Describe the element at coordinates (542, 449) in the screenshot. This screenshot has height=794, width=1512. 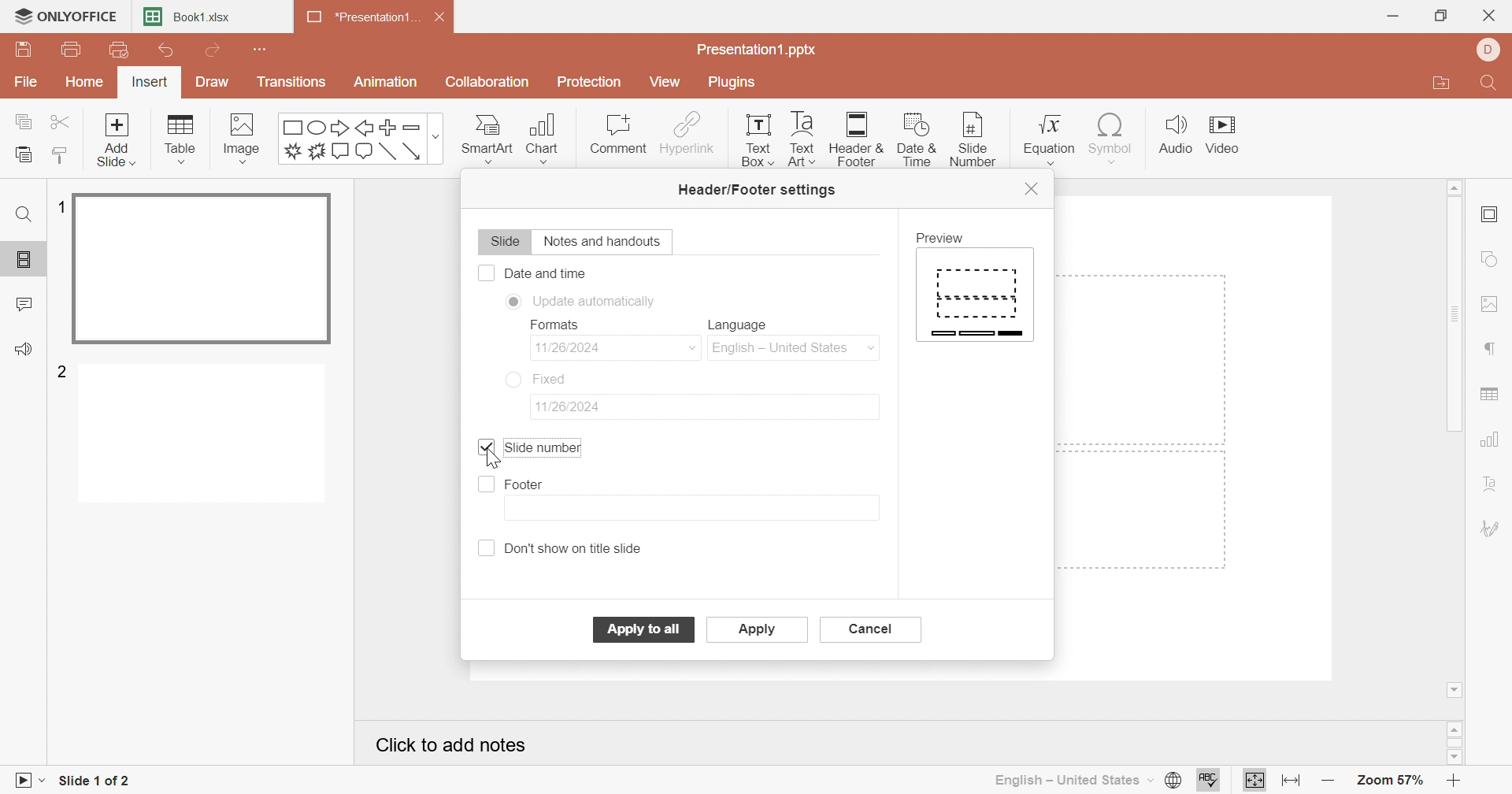
I see `Slide number` at that location.